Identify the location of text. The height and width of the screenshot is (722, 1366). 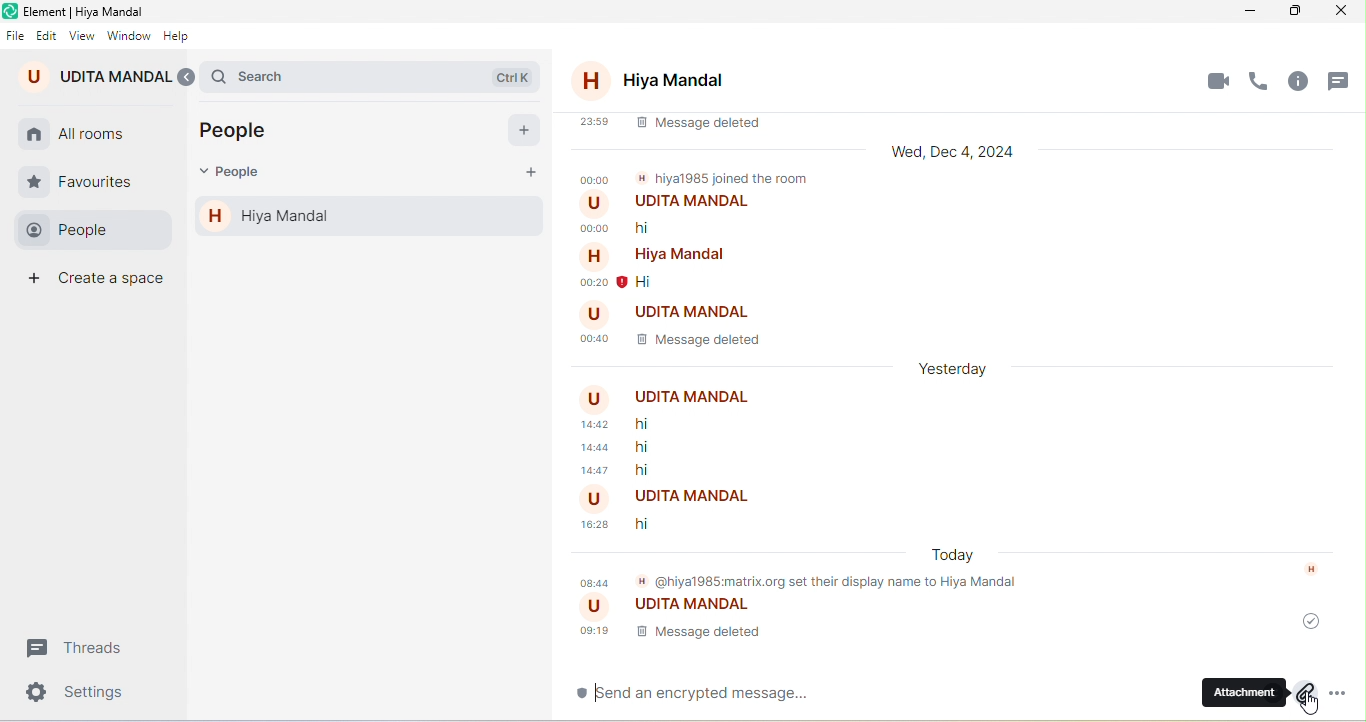
(693, 200).